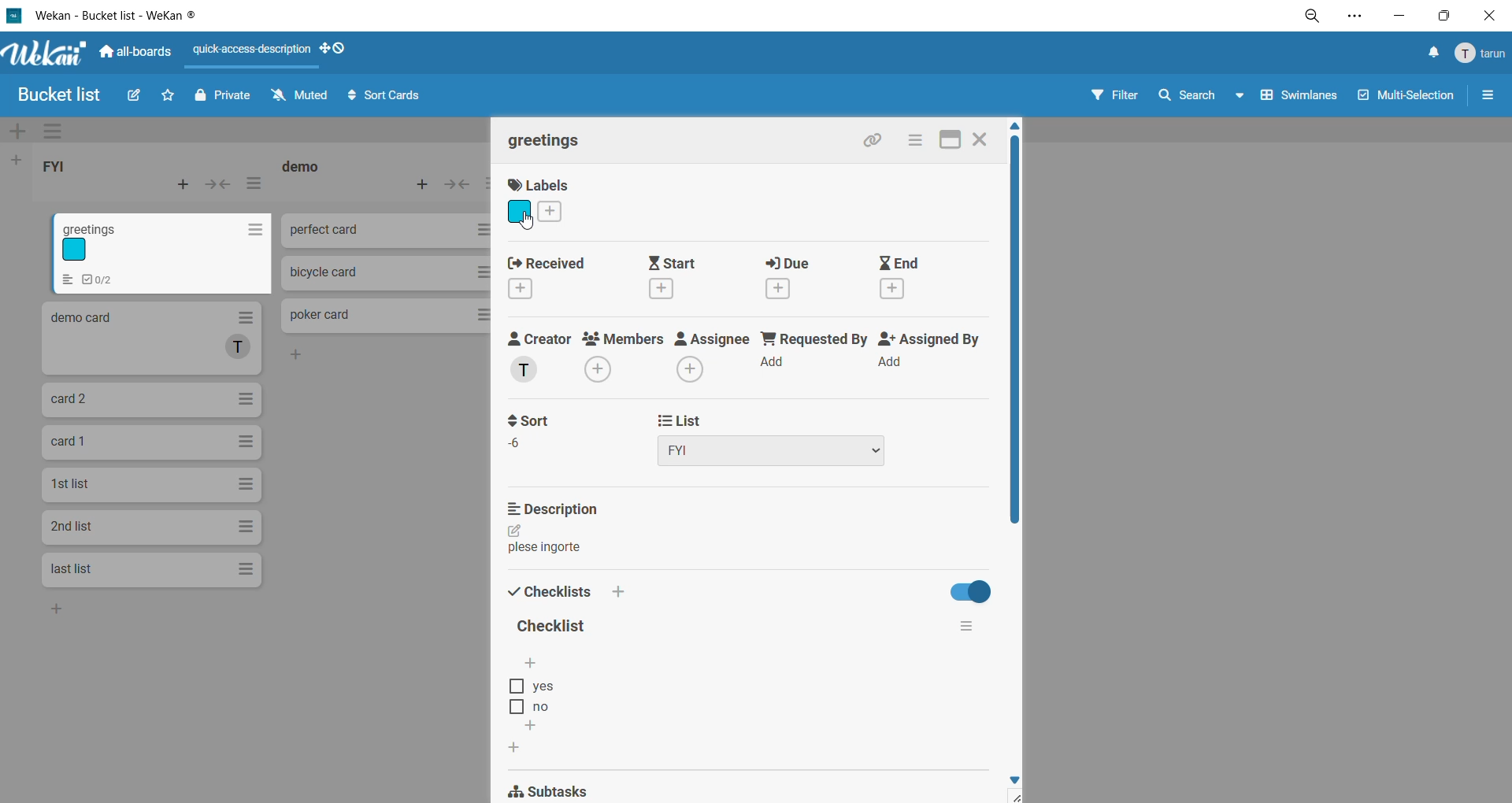 Image resolution: width=1512 pixels, height=803 pixels. Describe the element at coordinates (980, 140) in the screenshot. I see `close` at that location.